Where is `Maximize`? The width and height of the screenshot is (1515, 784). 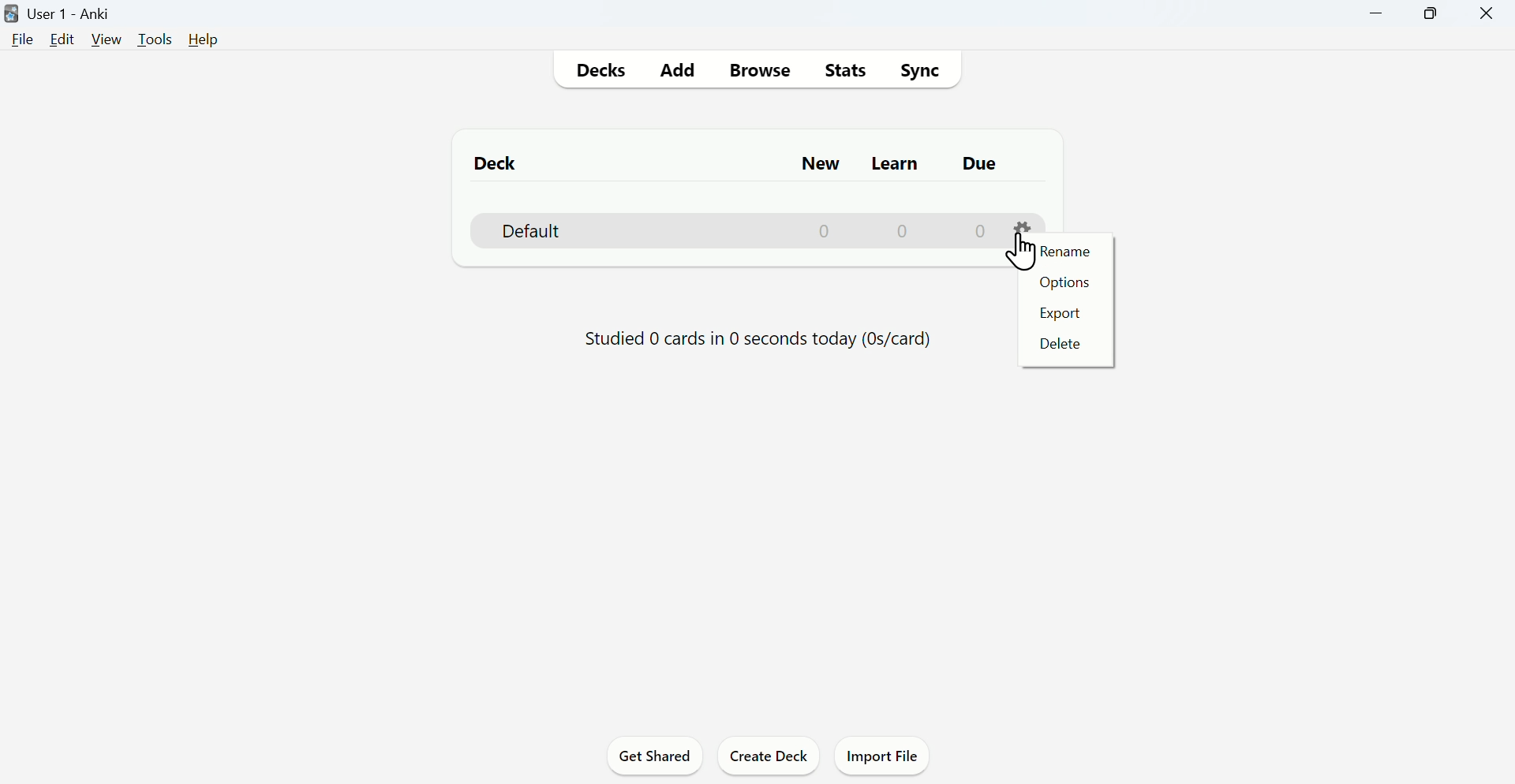
Maximize is located at coordinates (1430, 14).